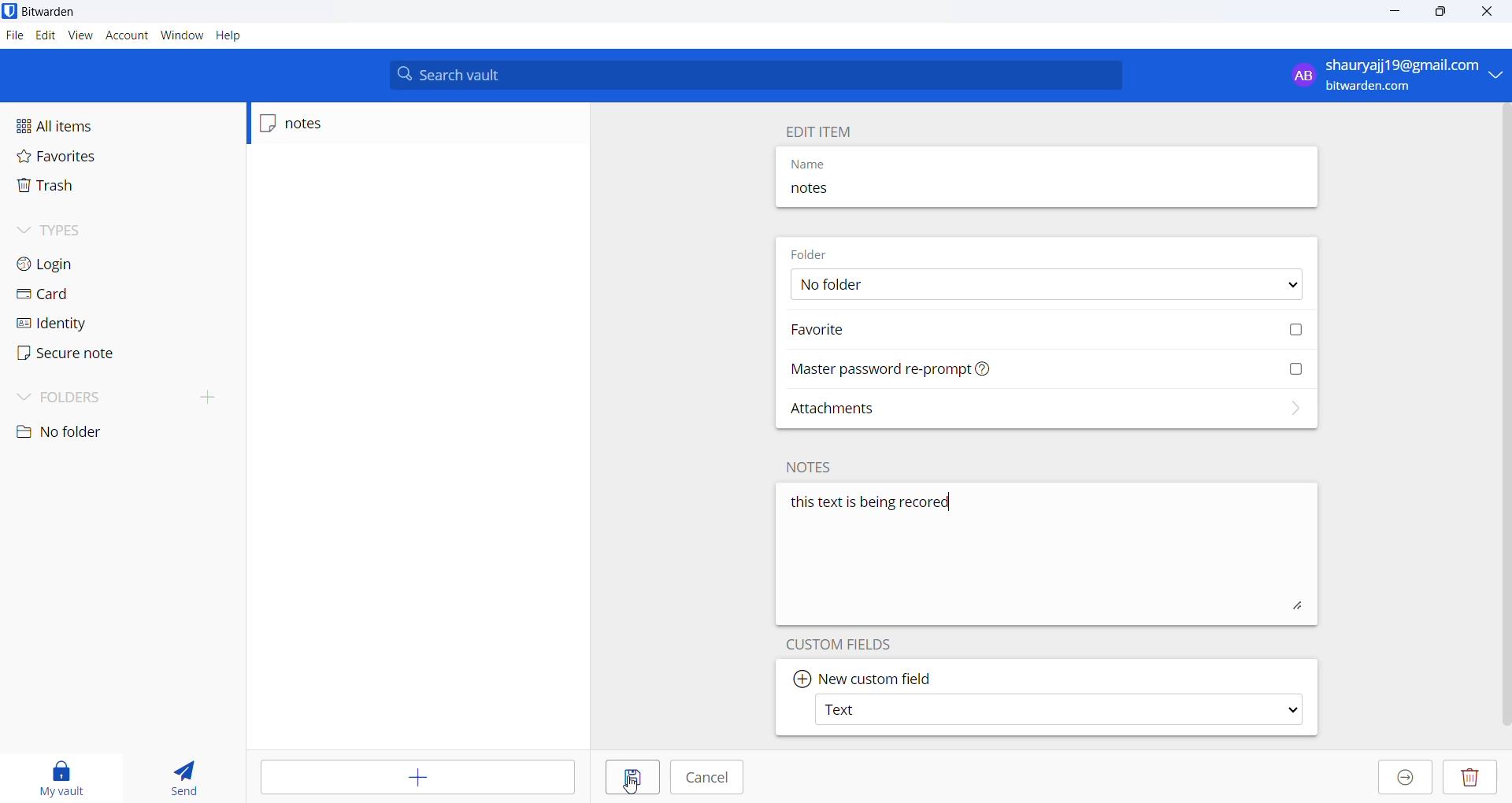  What do you see at coordinates (116, 396) in the screenshot?
I see `folder` at bounding box center [116, 396].